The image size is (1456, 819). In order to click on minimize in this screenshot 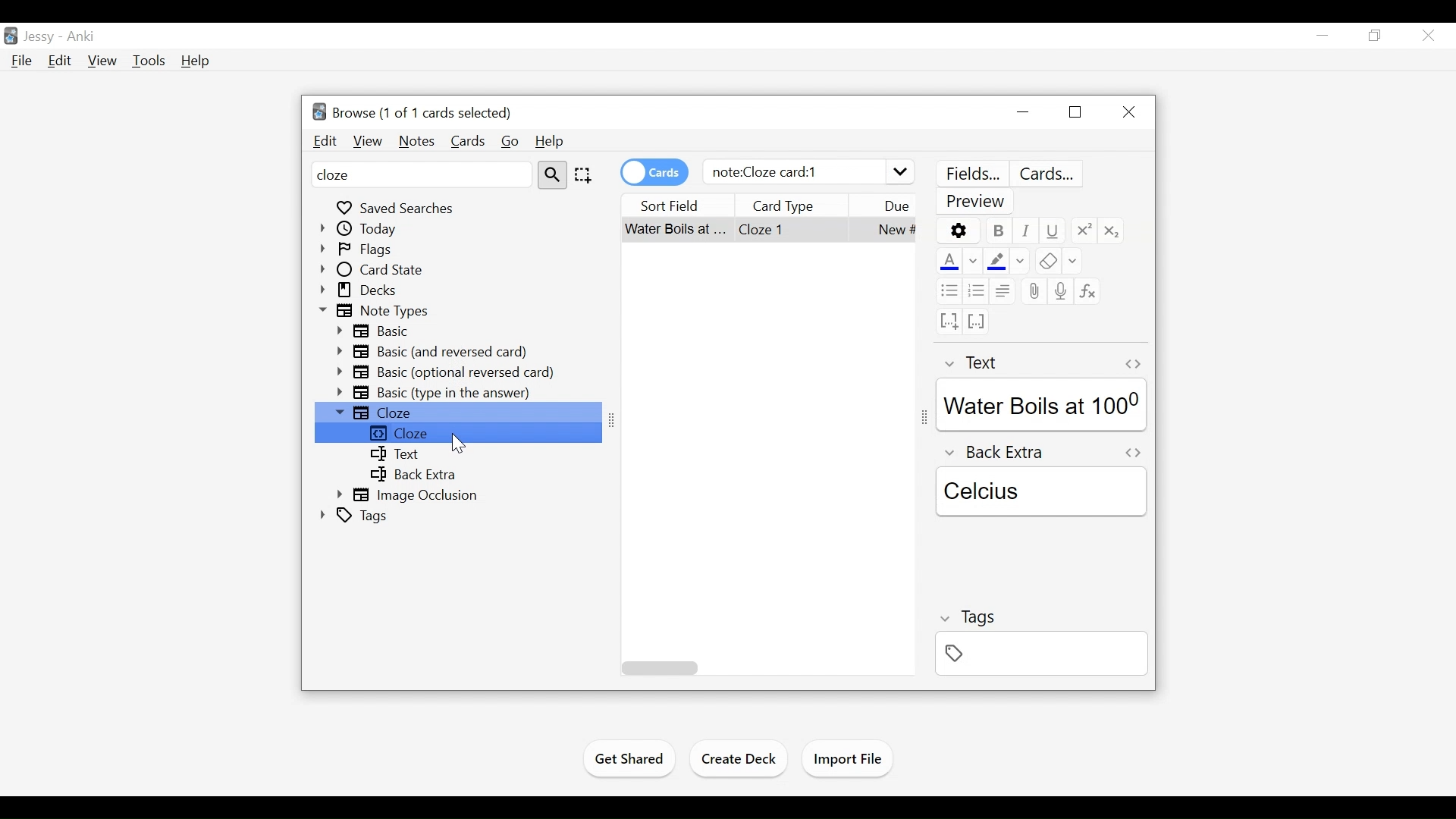, I will do `click(1025, 111)`.